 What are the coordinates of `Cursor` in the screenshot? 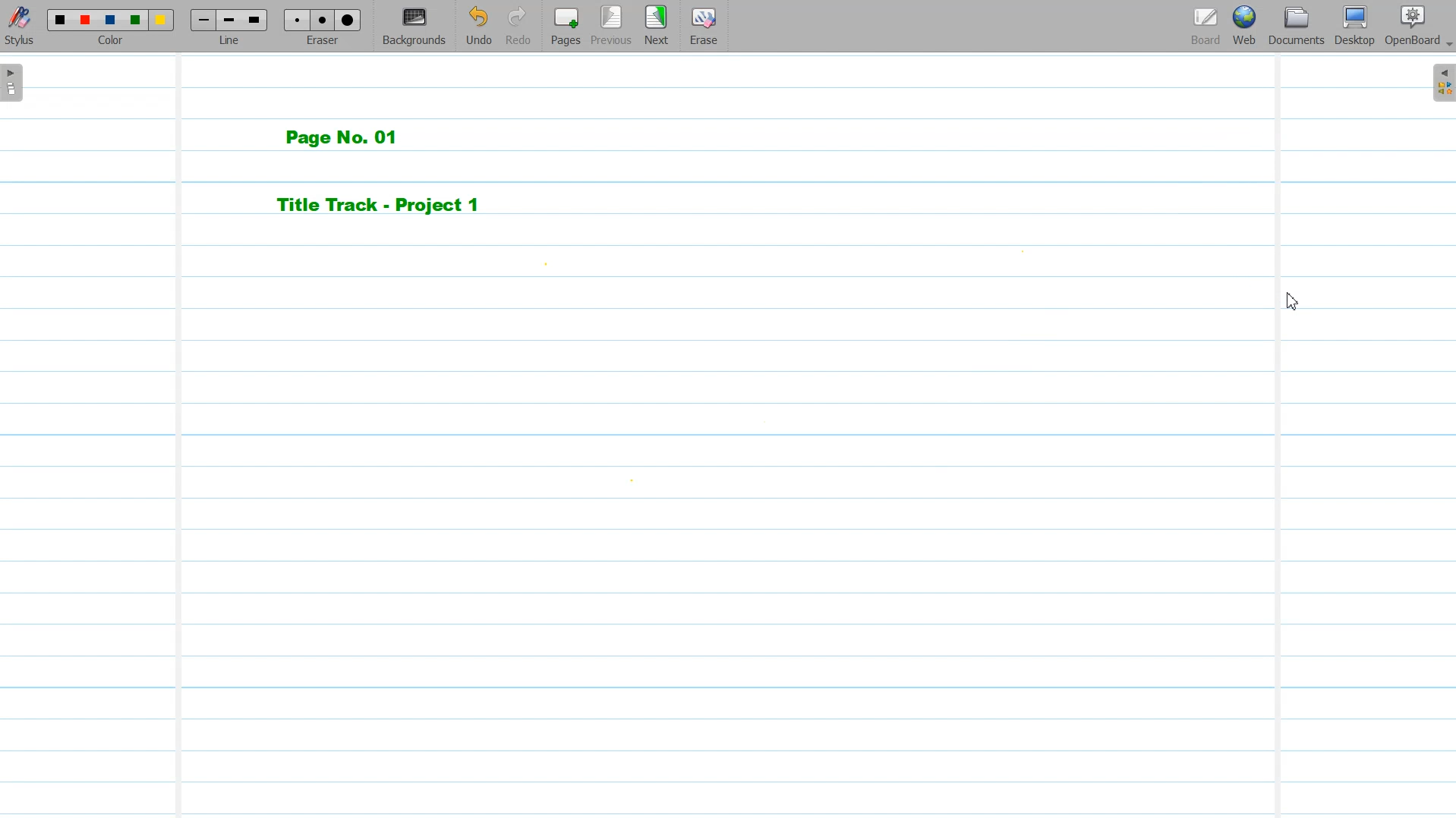 It's located at (1288, 301).